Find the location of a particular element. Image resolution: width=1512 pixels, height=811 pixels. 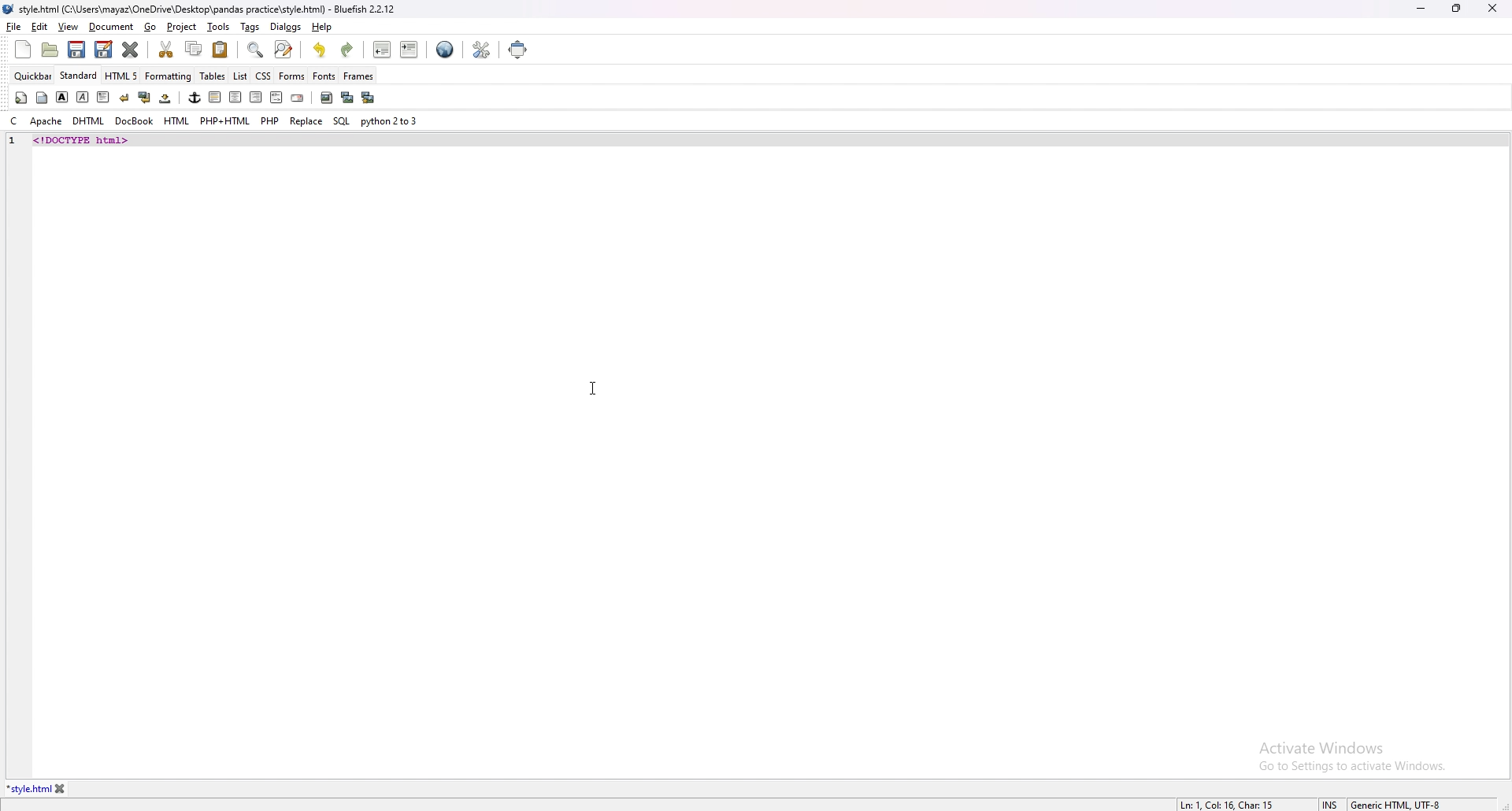

fonts is located at coordinates (324, 76).